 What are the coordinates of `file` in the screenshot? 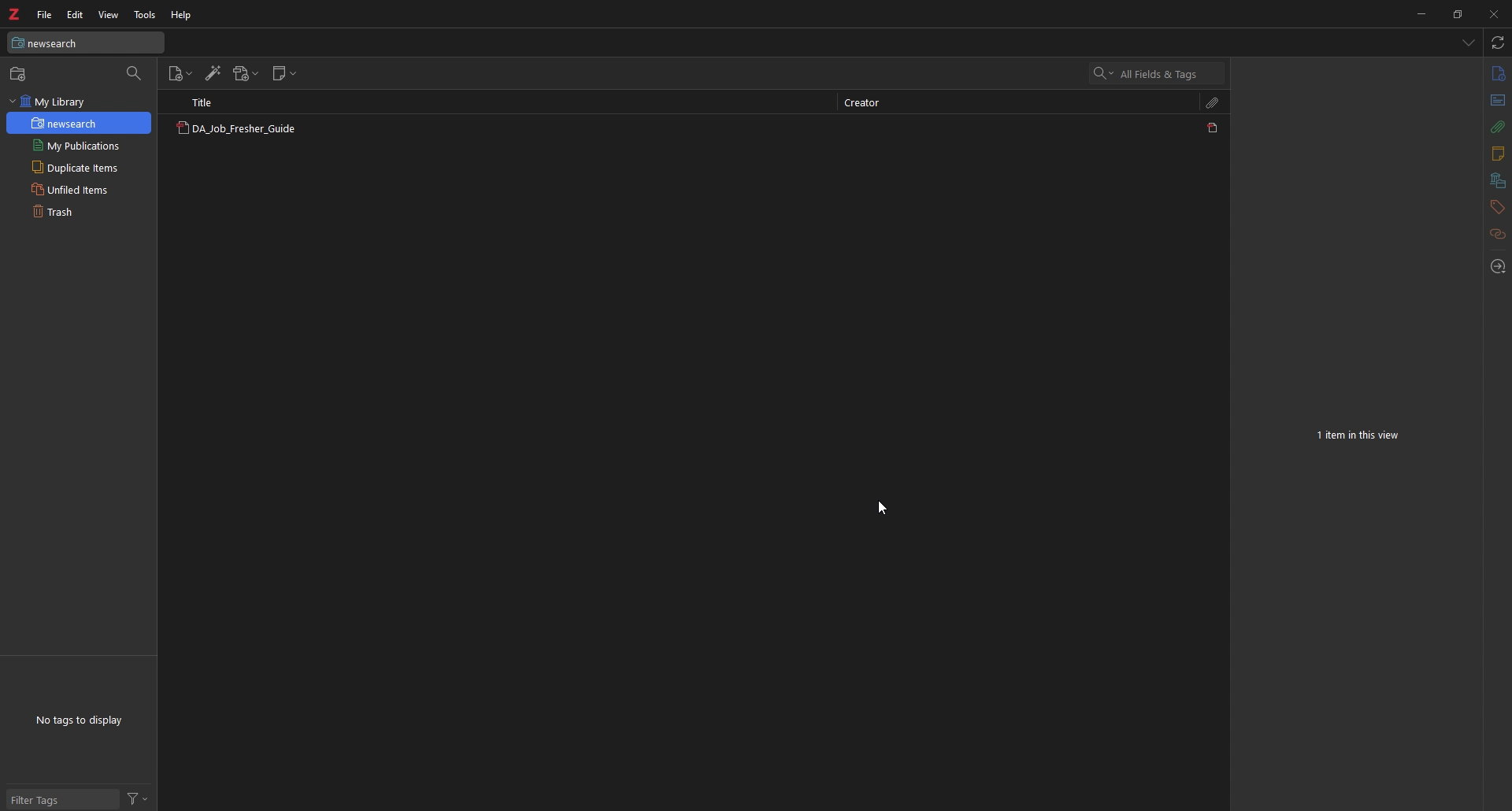 It's located at (46, 14).